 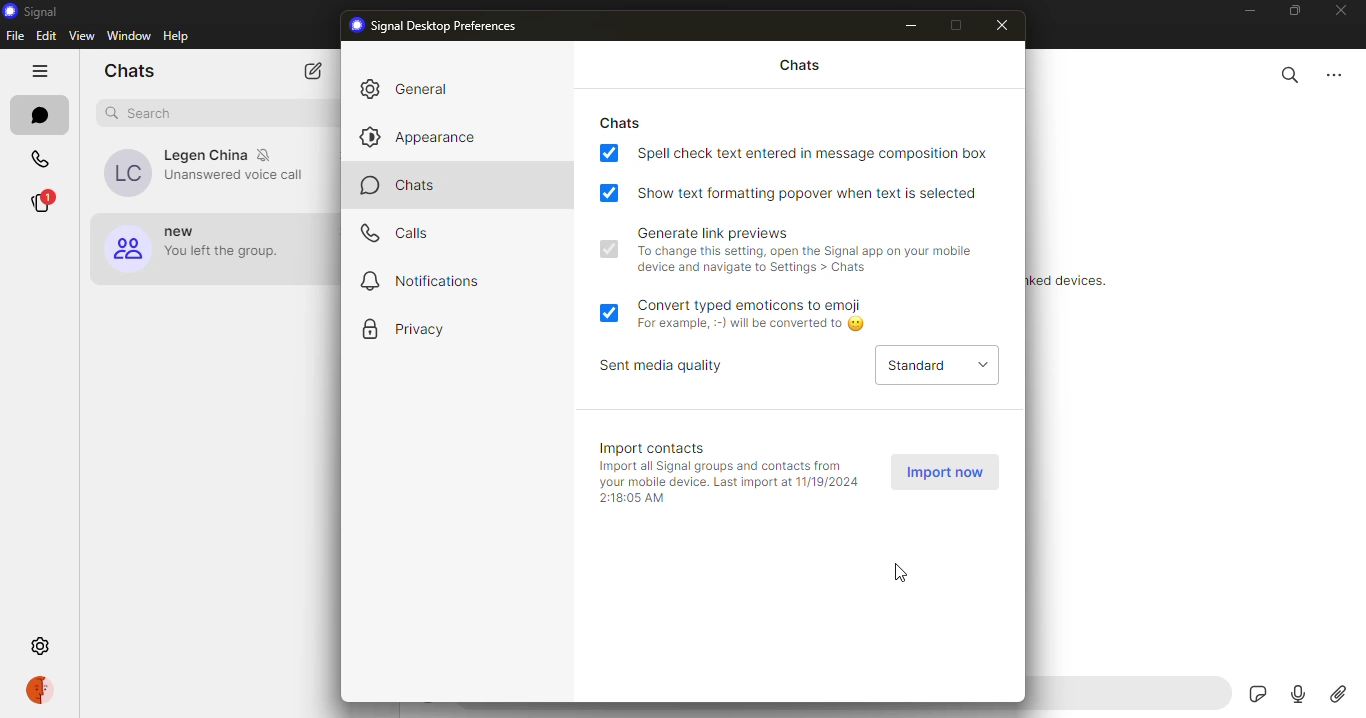 I want to click on signal preferences, so click(x=438, y=26).